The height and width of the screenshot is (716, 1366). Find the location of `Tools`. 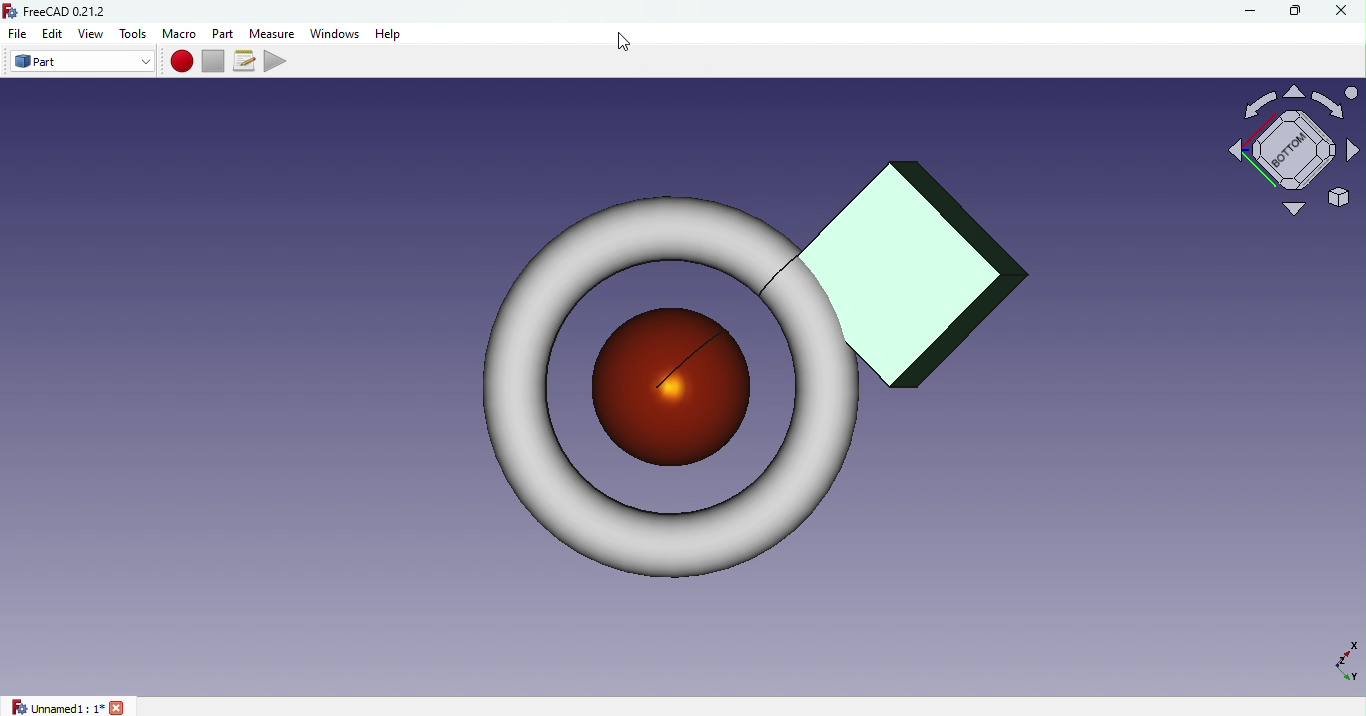

Tools is located at coordinates (134, 34).